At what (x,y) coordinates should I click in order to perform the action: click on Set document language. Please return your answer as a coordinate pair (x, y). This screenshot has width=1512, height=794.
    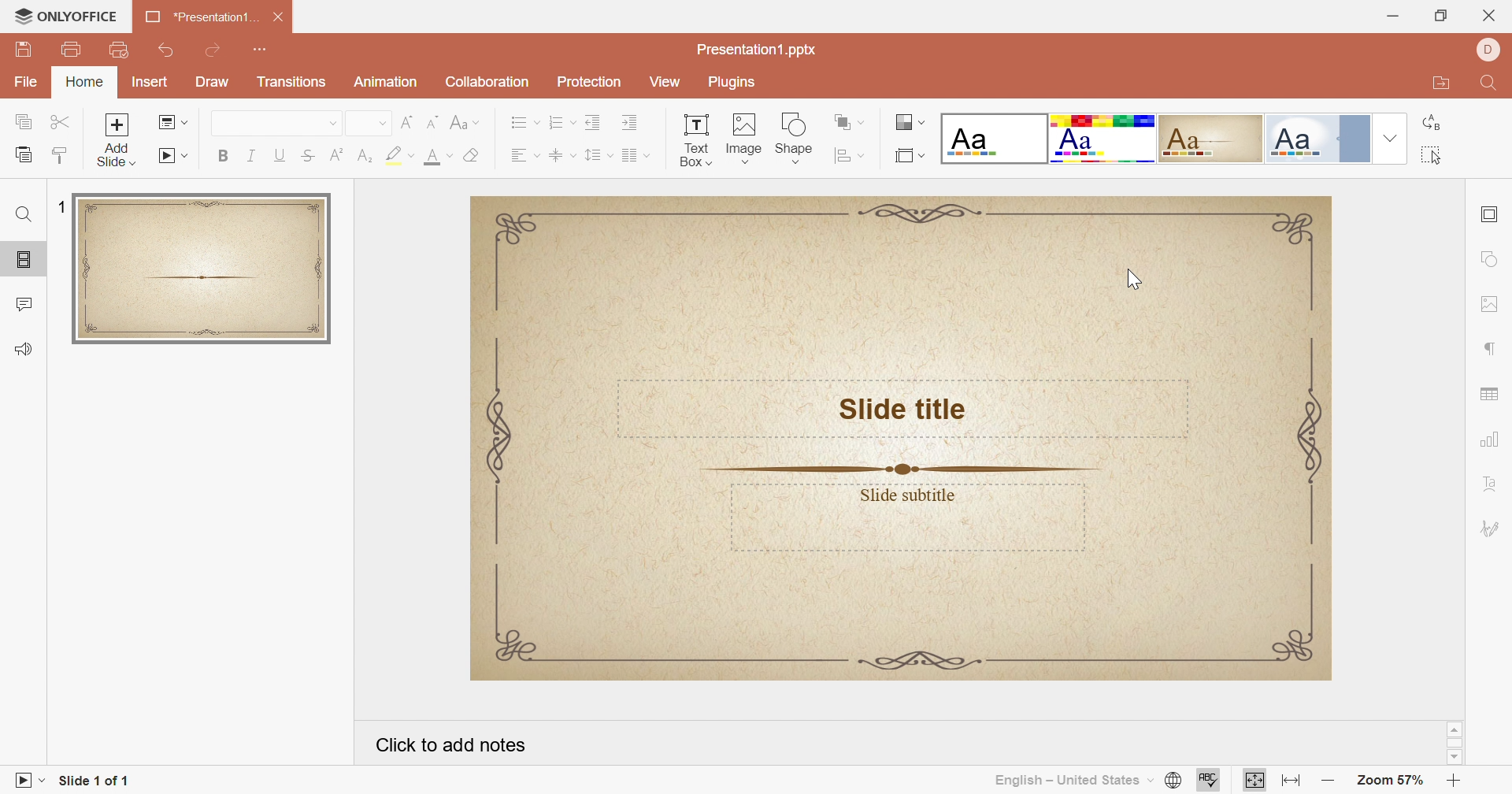
    Looking at the image, I should click on (1174, 782).